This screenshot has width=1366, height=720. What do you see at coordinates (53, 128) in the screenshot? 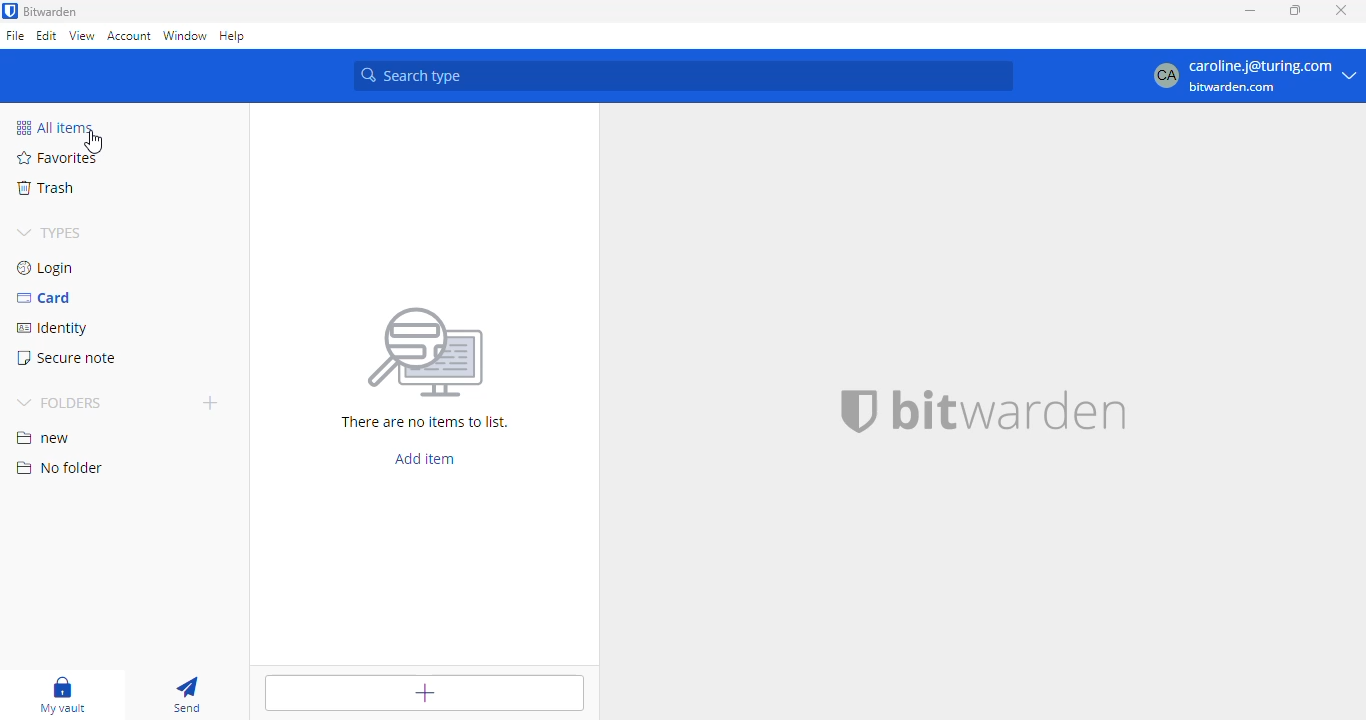
I see `all items` at bounding box center [53, 128].